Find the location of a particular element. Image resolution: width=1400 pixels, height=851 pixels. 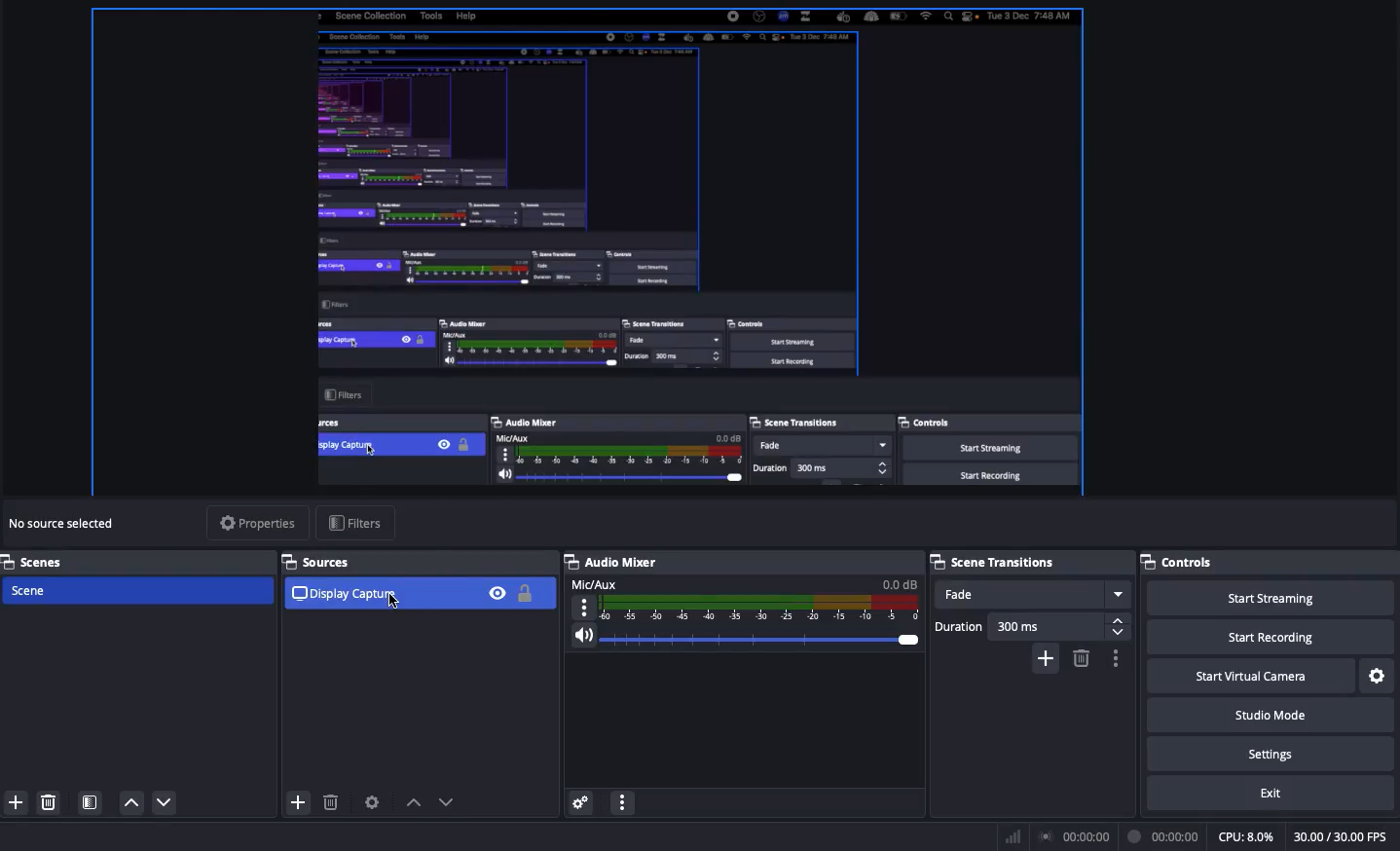

cursor is located at coordinates (394, 603).